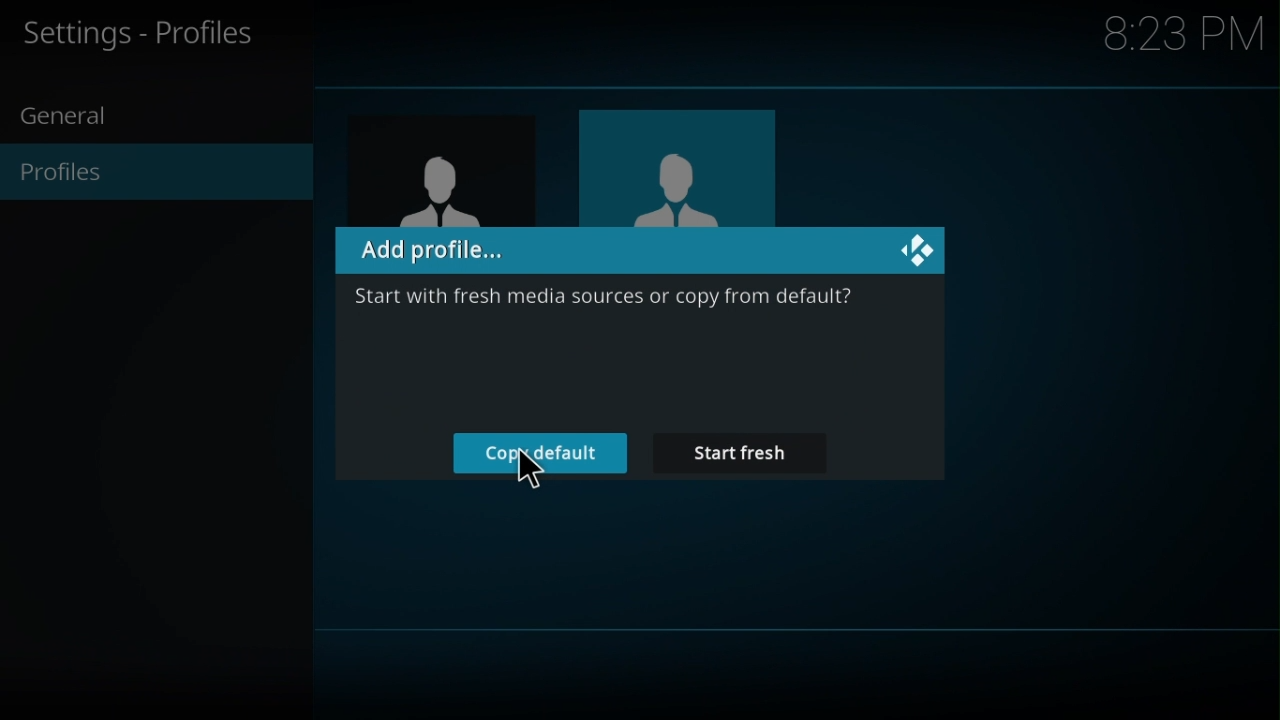 The image size is (1280, 720). Describe the element at coordinates (675, 166) in the screenshot. I see `image` at that location.